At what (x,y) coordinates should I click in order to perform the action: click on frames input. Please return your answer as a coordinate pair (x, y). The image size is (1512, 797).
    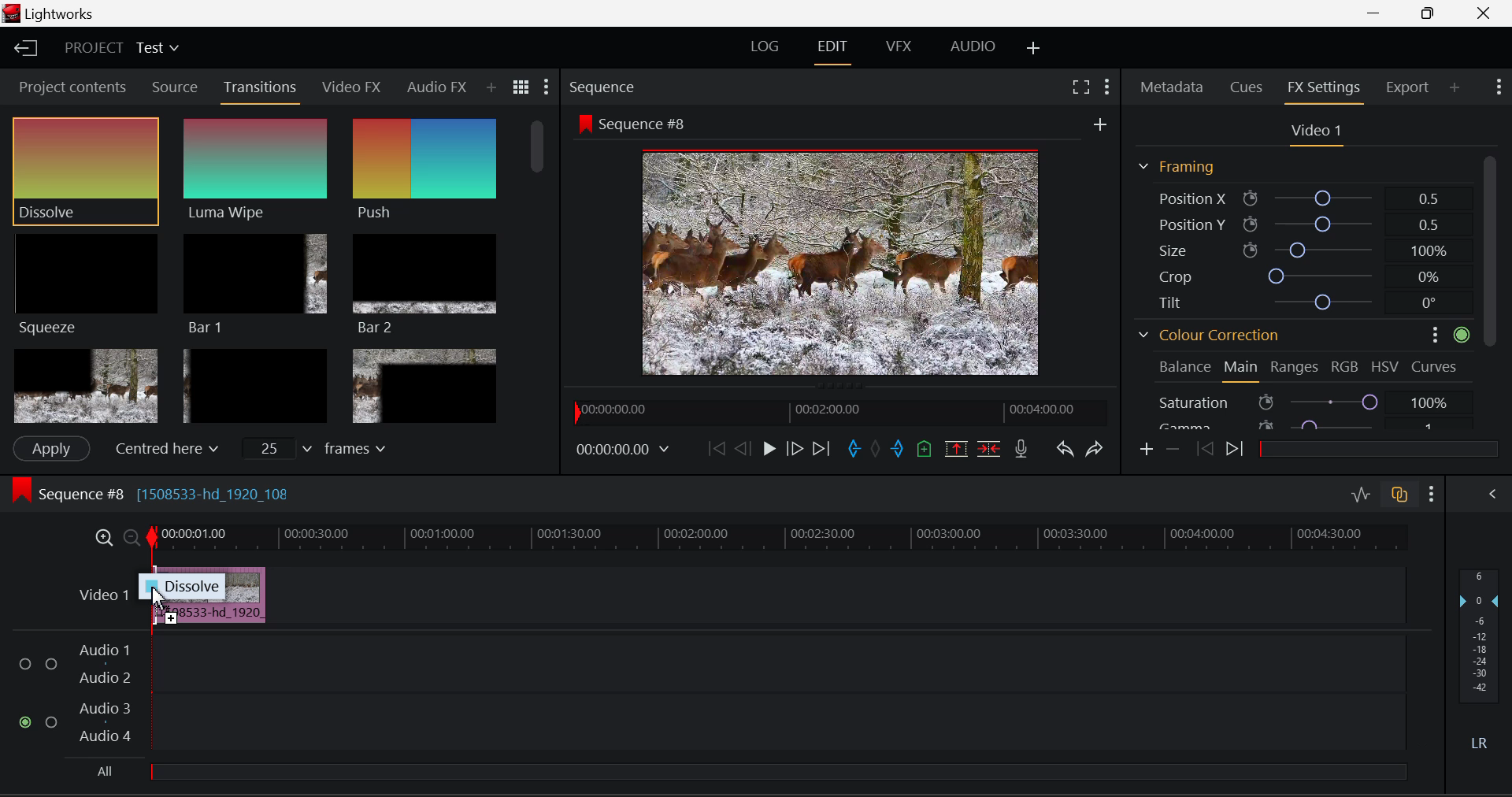
    Looking at the image, I should click on (313, 447).